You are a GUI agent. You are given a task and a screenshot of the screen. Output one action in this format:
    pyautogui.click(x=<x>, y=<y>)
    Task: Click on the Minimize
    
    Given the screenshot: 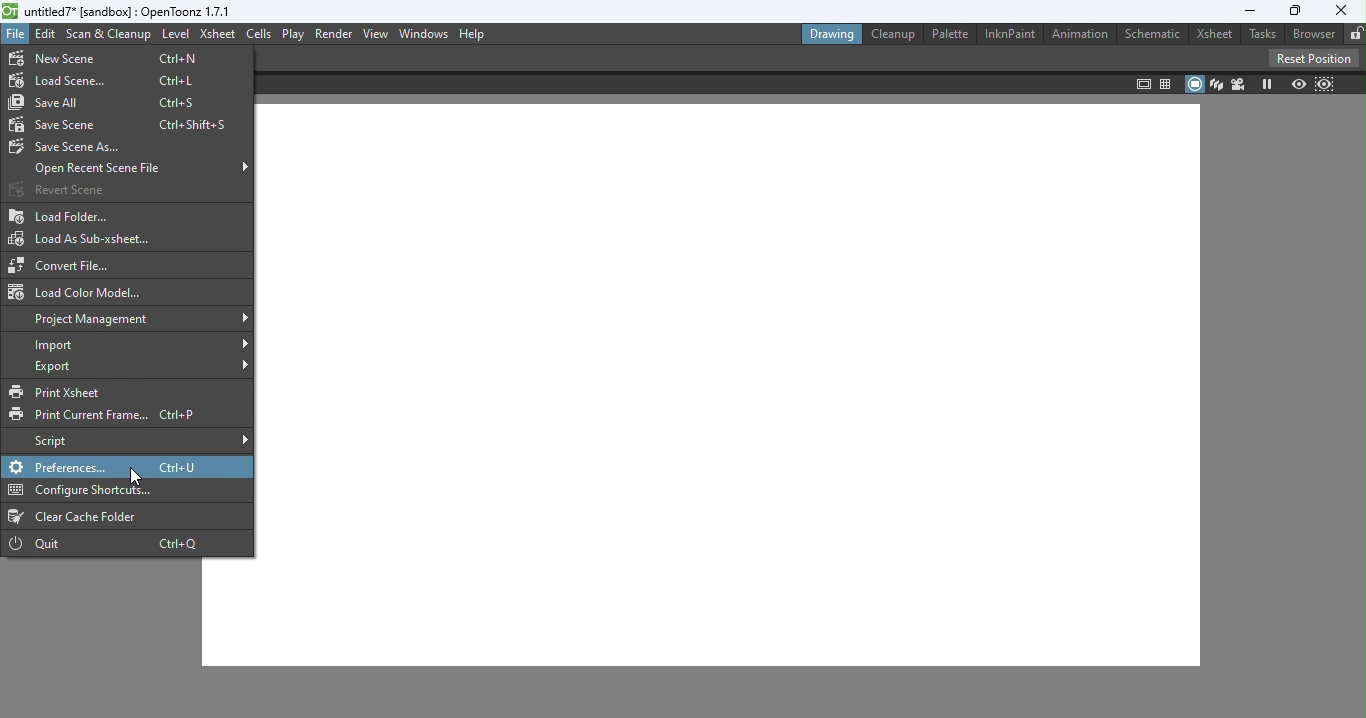 What is the action you would take?
    pyautogui.click(x=1245, y=13)
    